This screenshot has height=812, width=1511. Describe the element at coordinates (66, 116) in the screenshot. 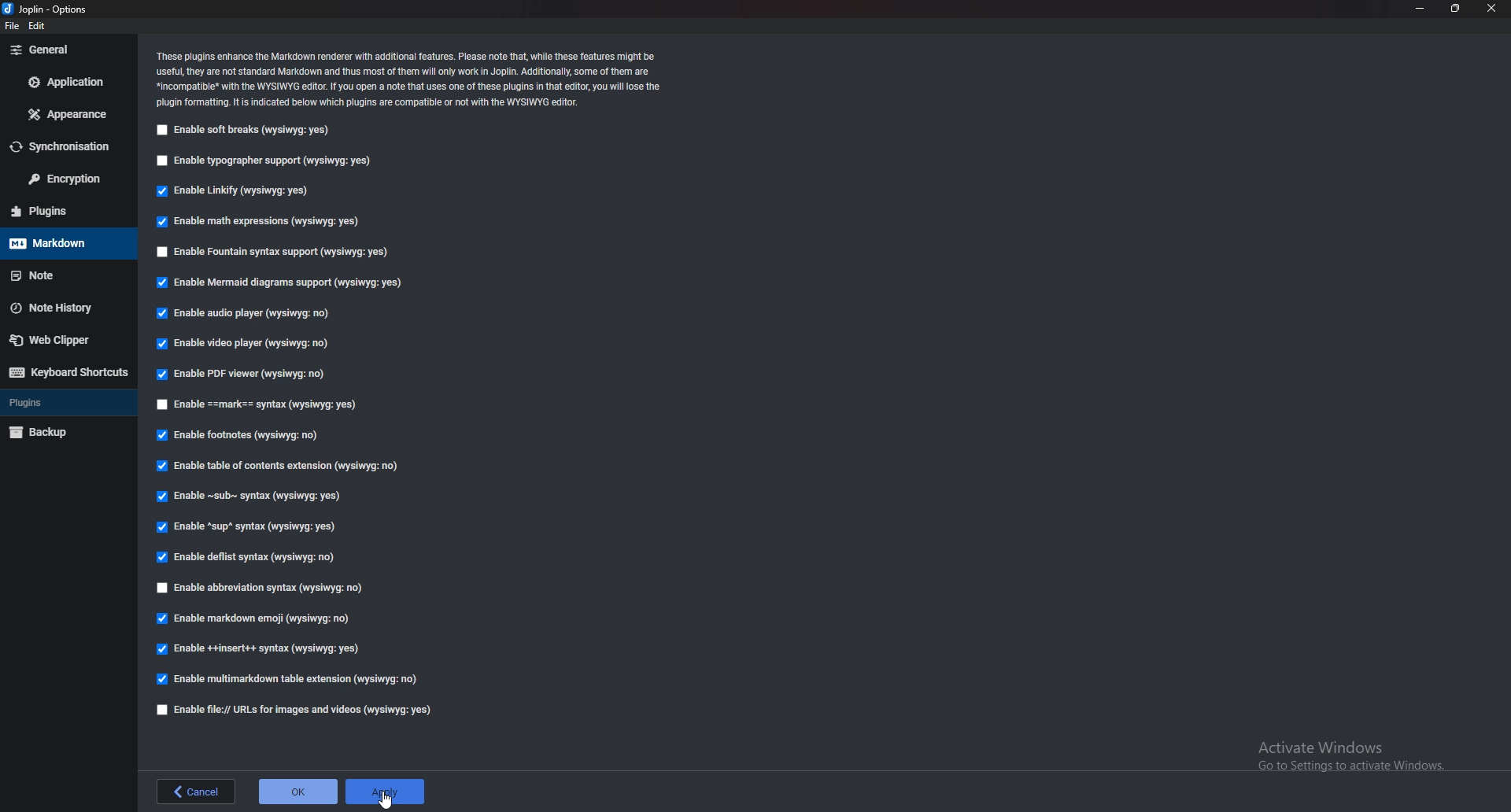

I see `Appearance` at that location.